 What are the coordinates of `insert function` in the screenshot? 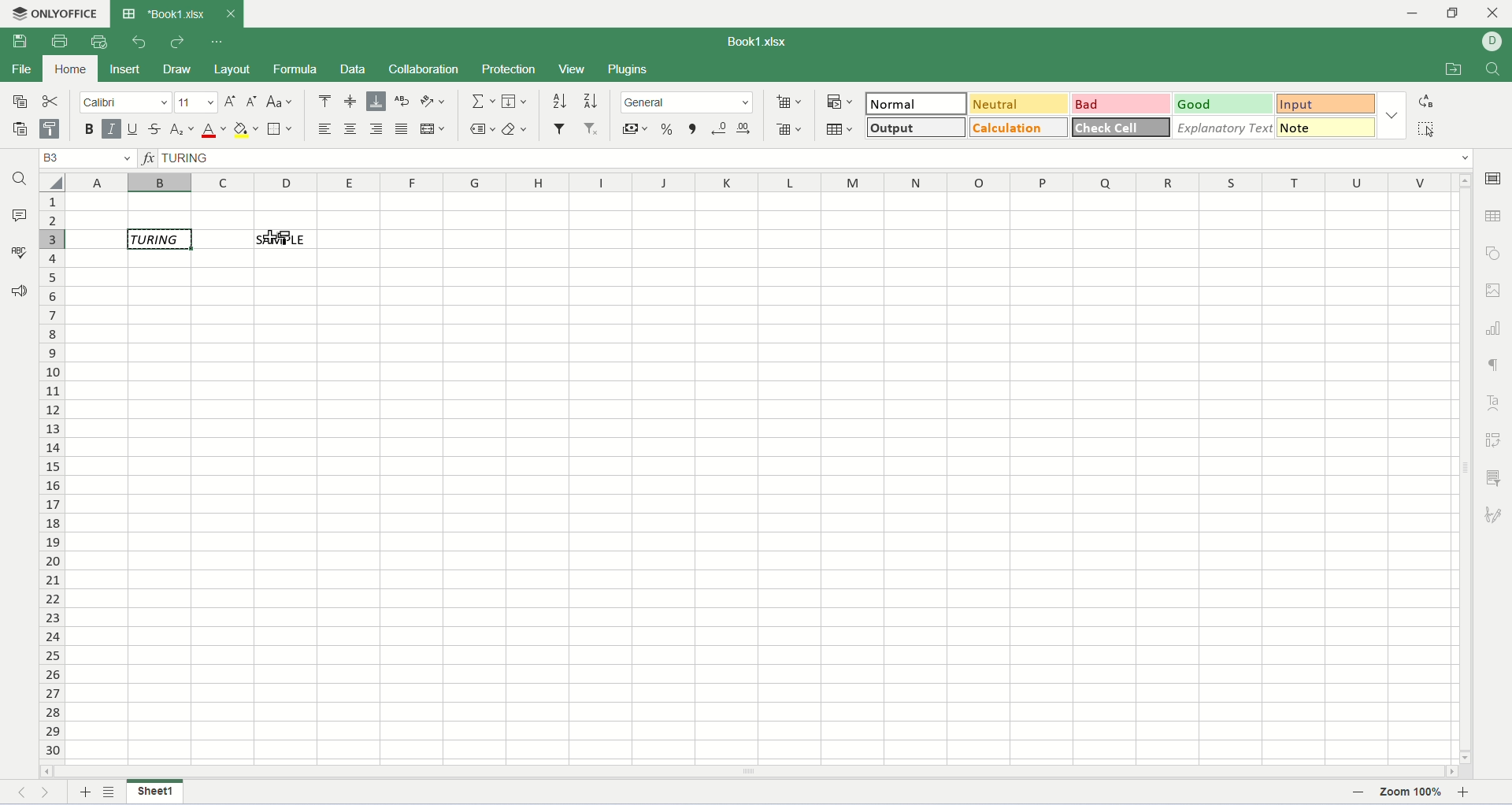 It's located at (149, 157).